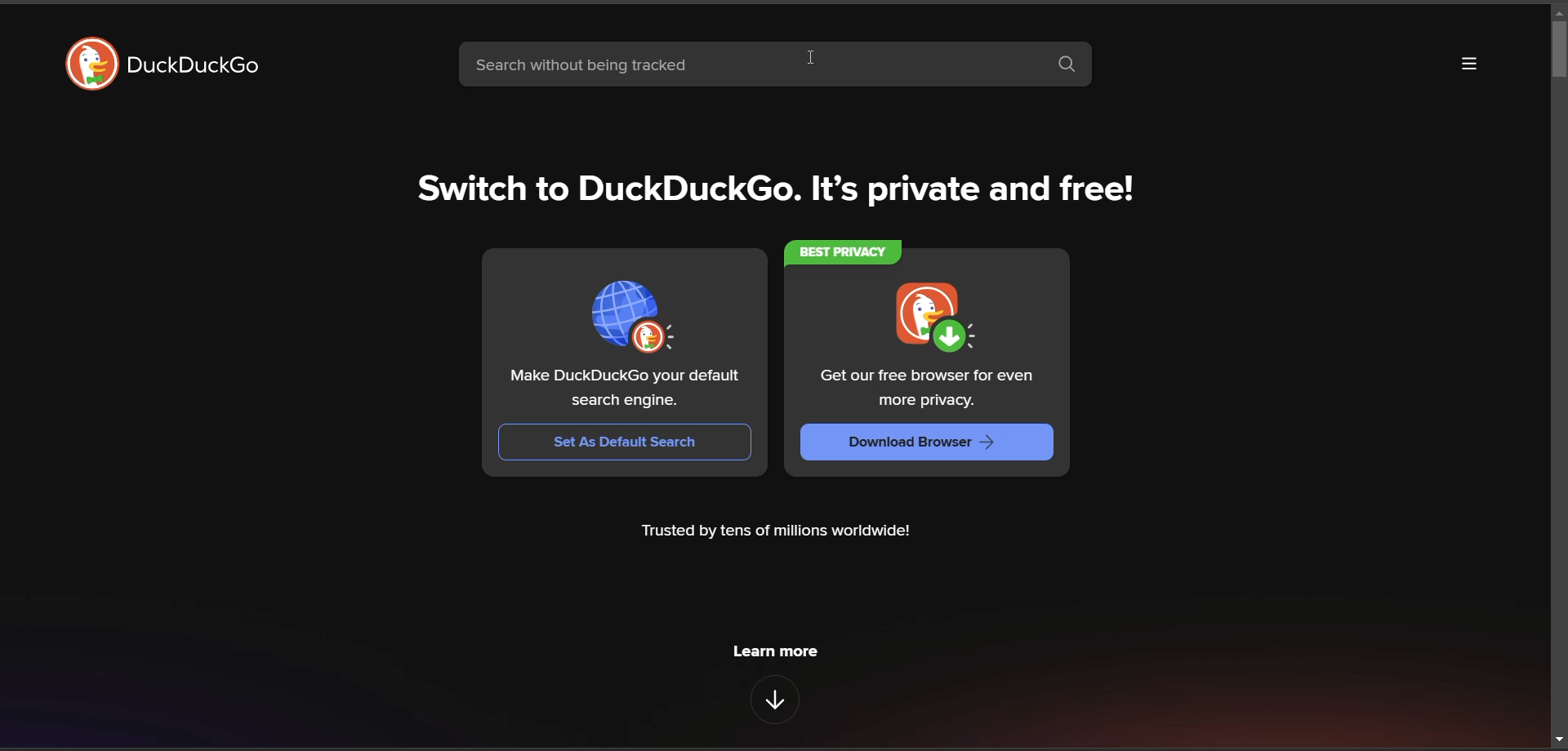 This screenshot has height=751, width=1568. What do you see at coordinates (1470, 65) in the screenshot?
I see `more options` at bounding box center [1470, 65].